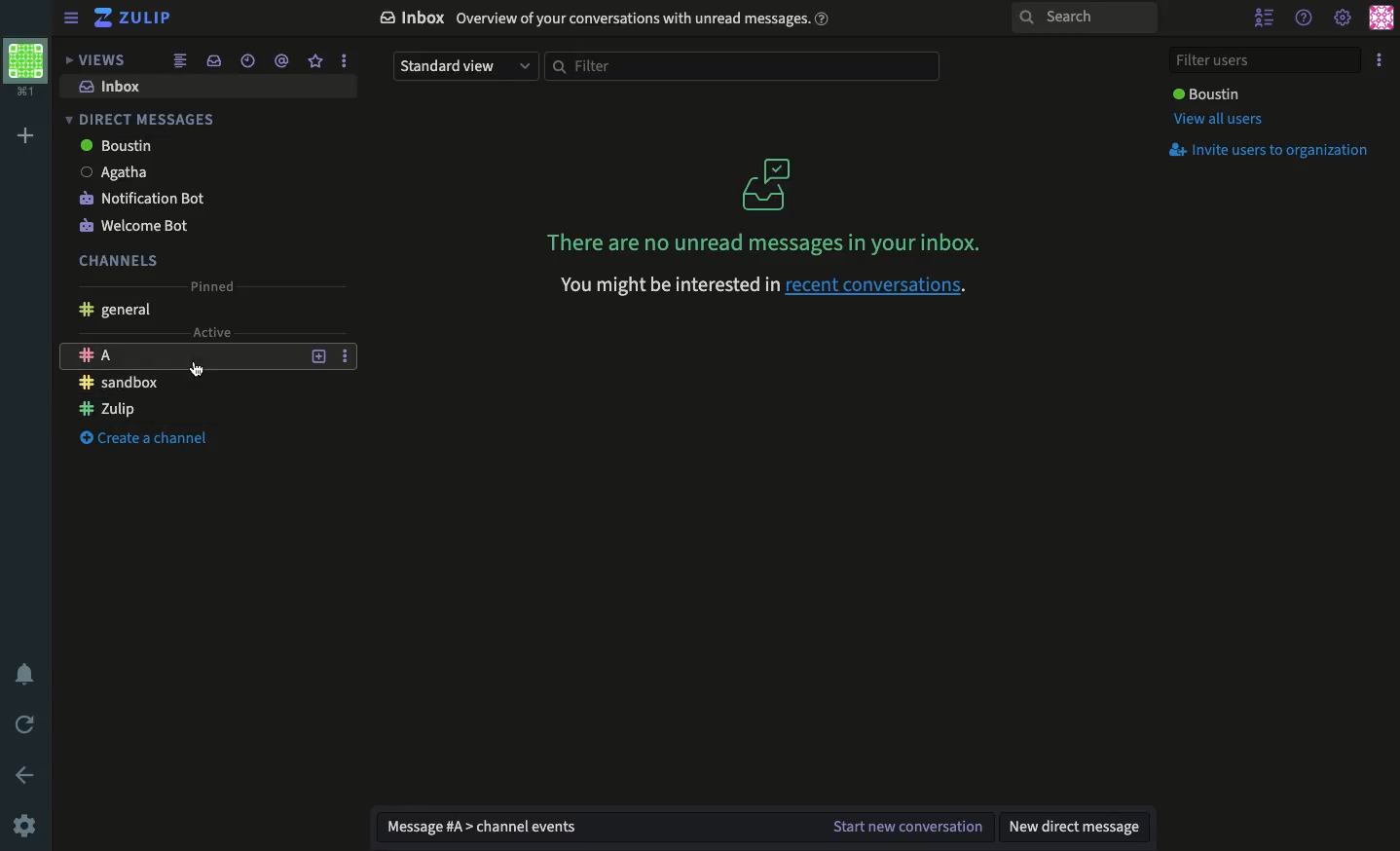 The width and height of the screenshot is (1400, 851). I want to click on Pinned, so click(214, 287).